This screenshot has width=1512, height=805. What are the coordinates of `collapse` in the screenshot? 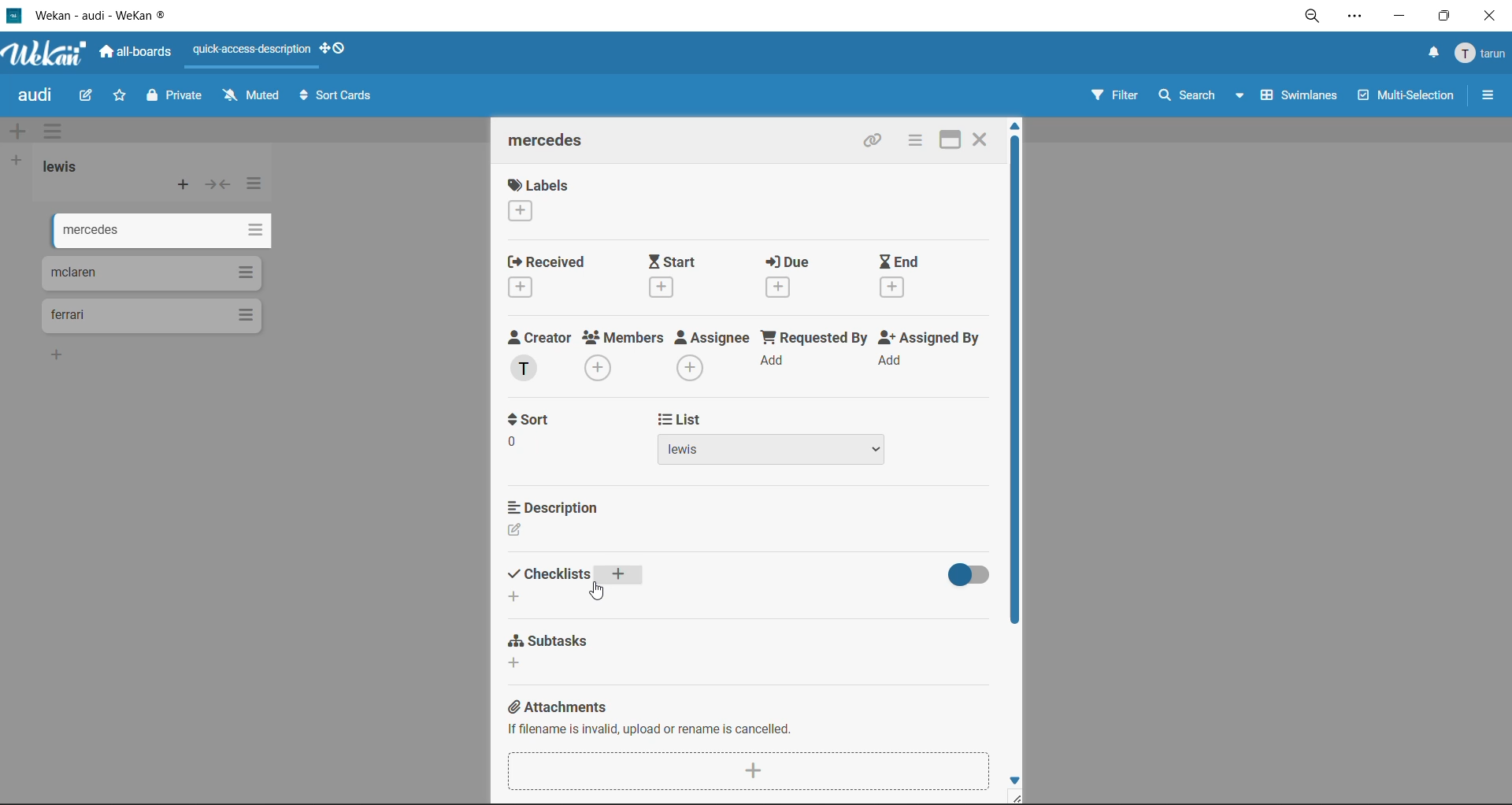 It's located at (220, 188).